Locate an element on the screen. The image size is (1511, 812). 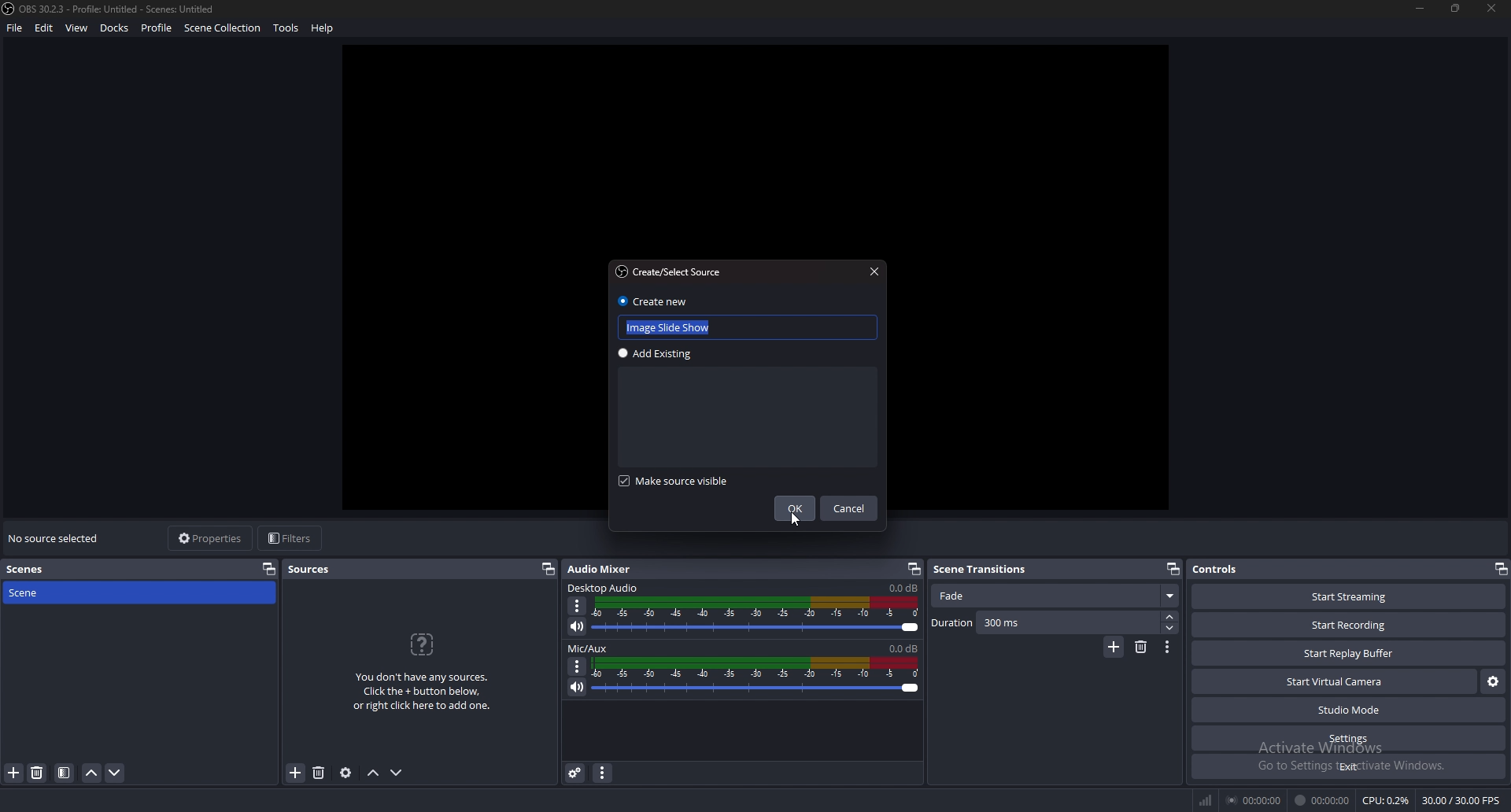
pop out is located at coordinates (269, 569).